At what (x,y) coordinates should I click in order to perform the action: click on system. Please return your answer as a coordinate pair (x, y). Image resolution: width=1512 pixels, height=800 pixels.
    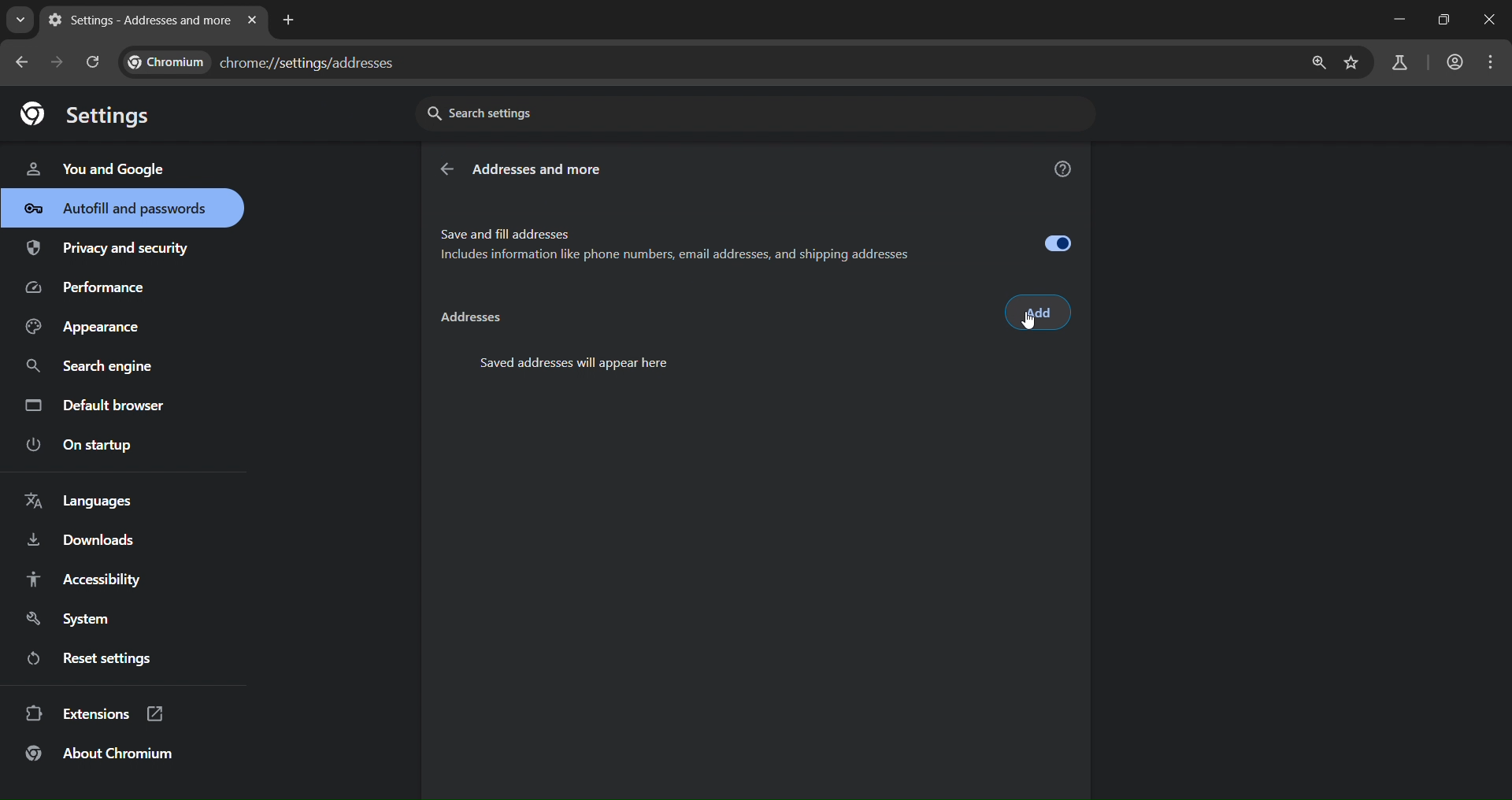
    Looking at the image, I should click on (72, 620).